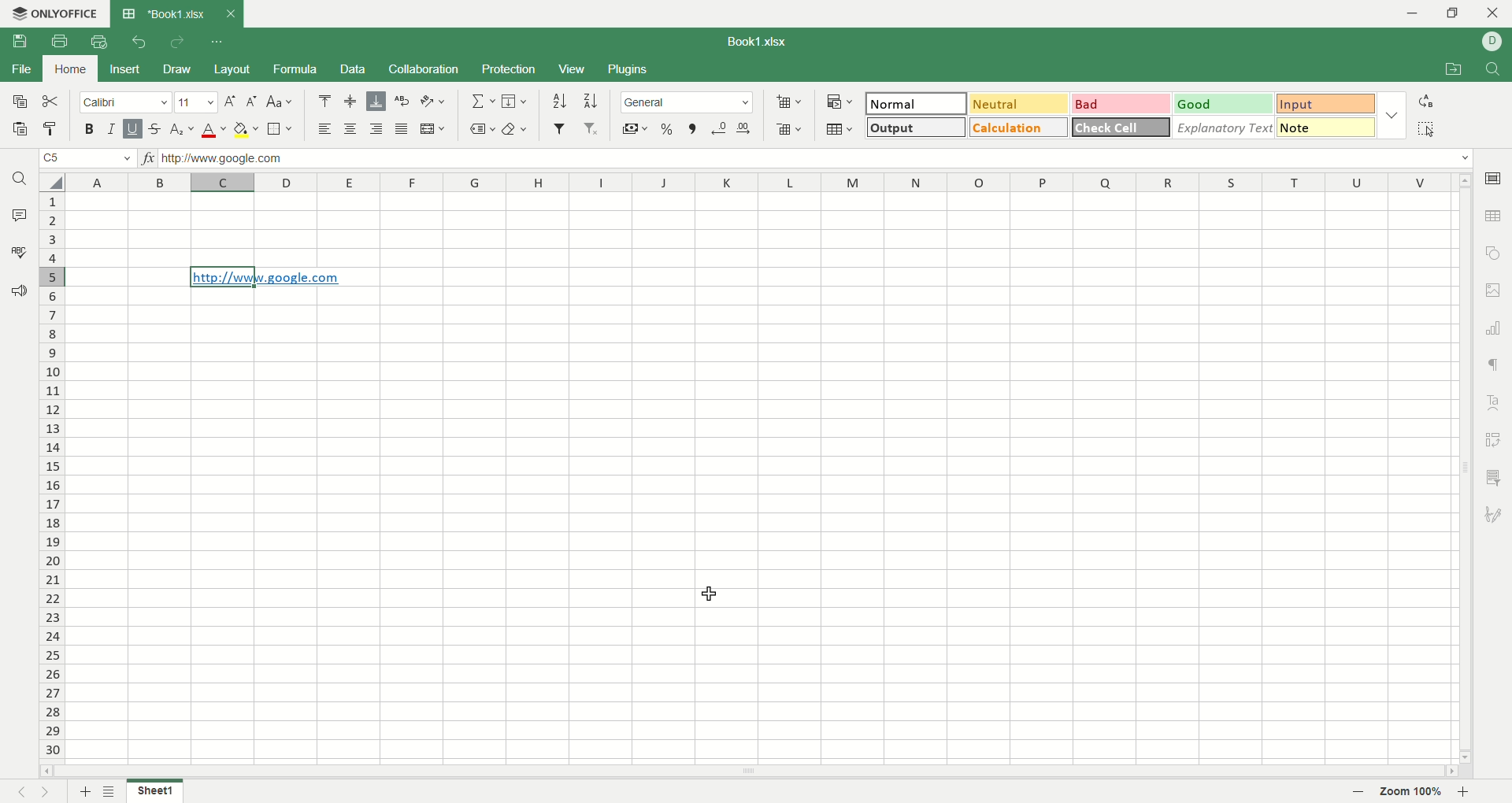 This screenshot has width=1512, height=803. Describe the element at coordinates (1119, 104) in the screenshot. I see `bad` at that location.